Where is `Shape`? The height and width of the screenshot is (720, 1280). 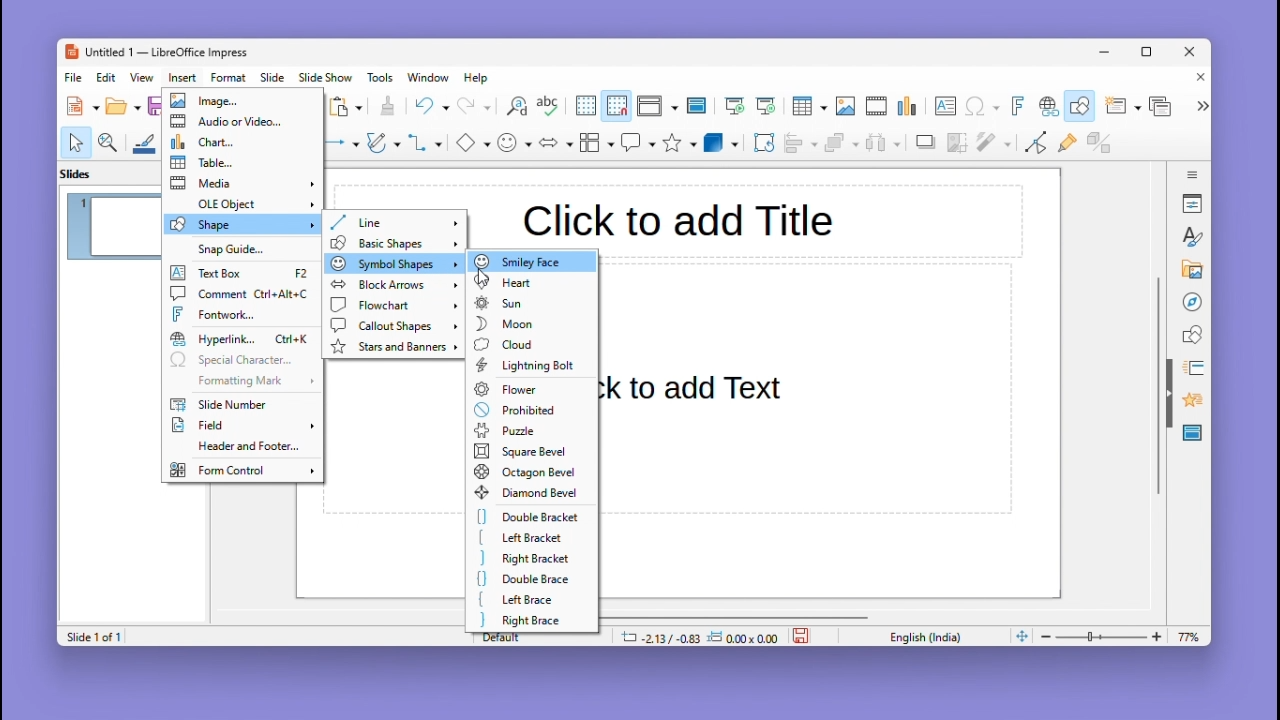 Shape is located at coordinates (242, 224).